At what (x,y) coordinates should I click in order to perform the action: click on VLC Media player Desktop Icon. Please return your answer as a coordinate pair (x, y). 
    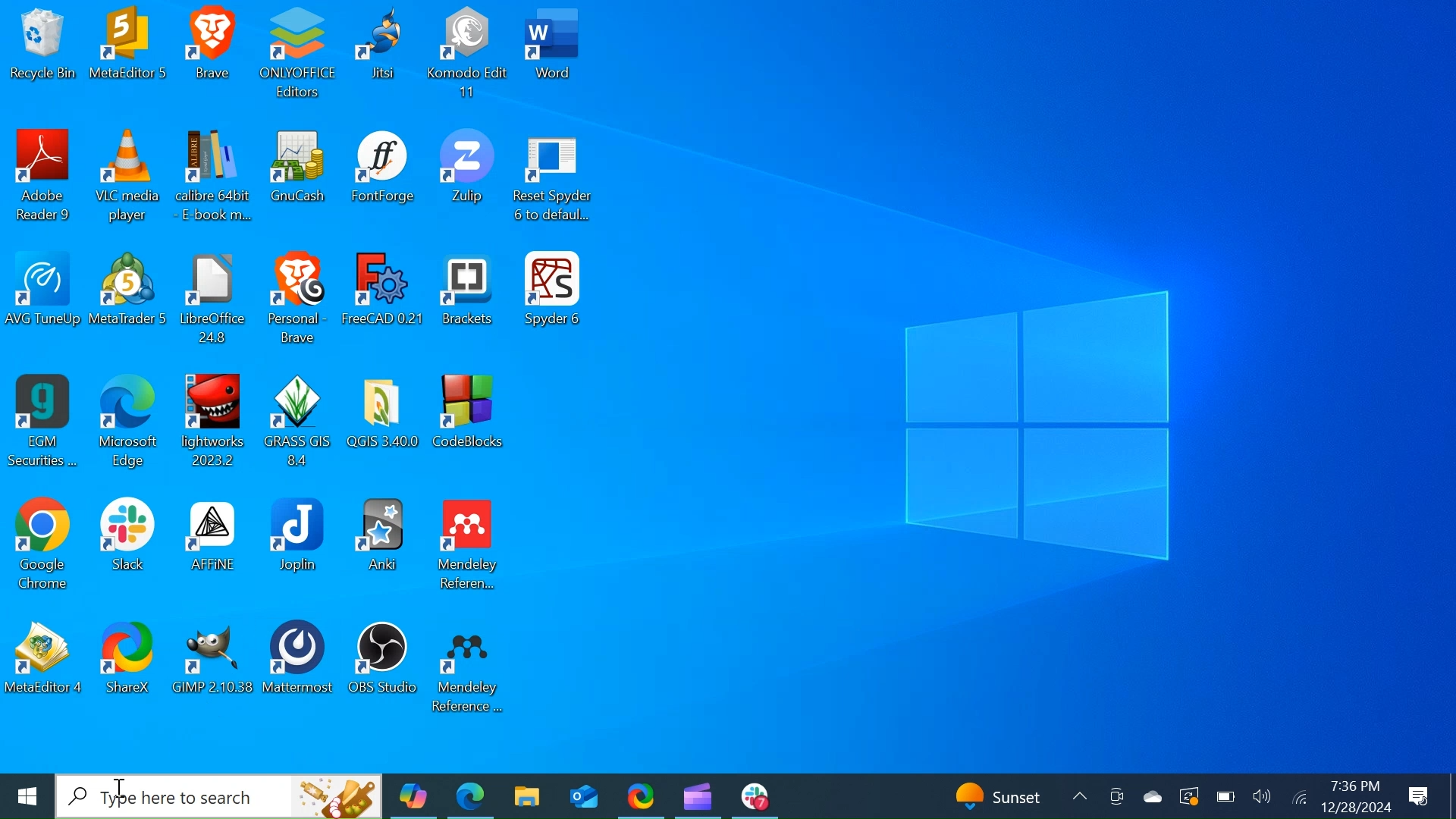
    Looking at the image, I should click on (124, 180).